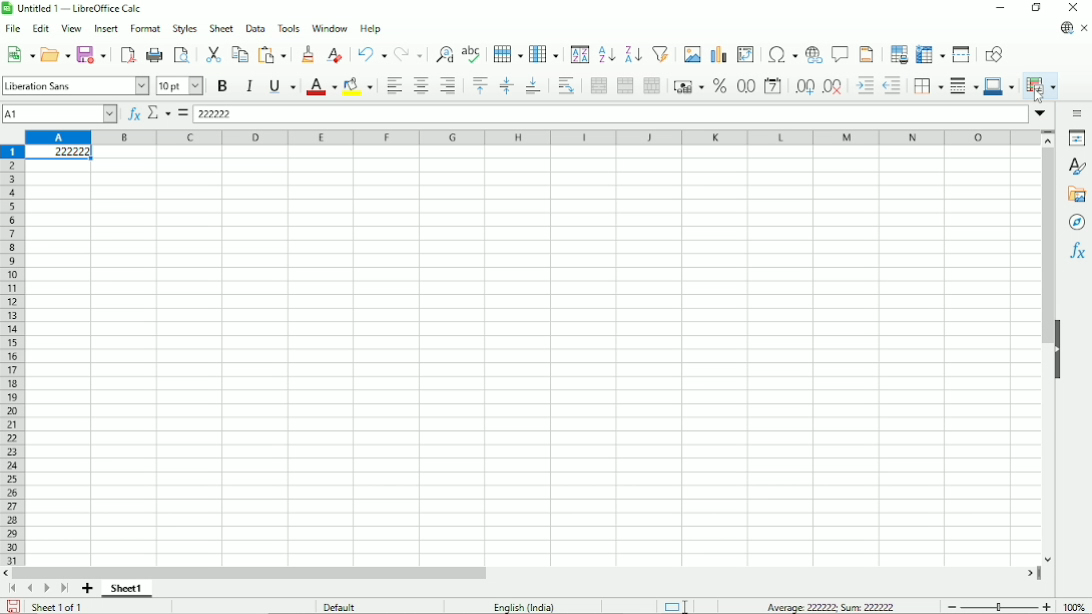 The width and height of the screenshot is (1092, 614). Describe the element at coordinates (282, 86) in the screenshot. I see `Underline` at that location.